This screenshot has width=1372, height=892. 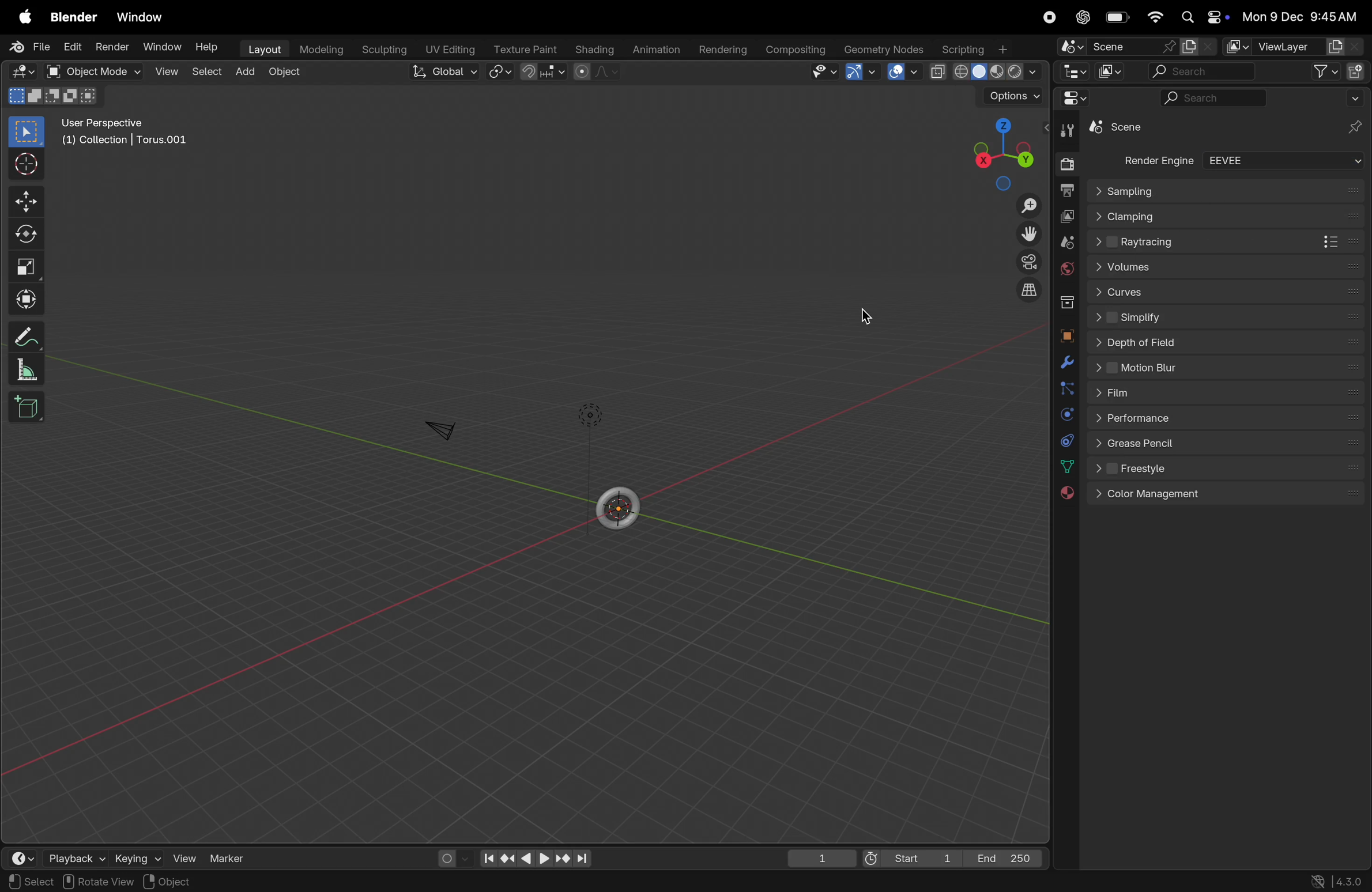 What do you see at coordinates (1210, 98) in the screenshot?
I see `search` at bounding box center [1210, 98].